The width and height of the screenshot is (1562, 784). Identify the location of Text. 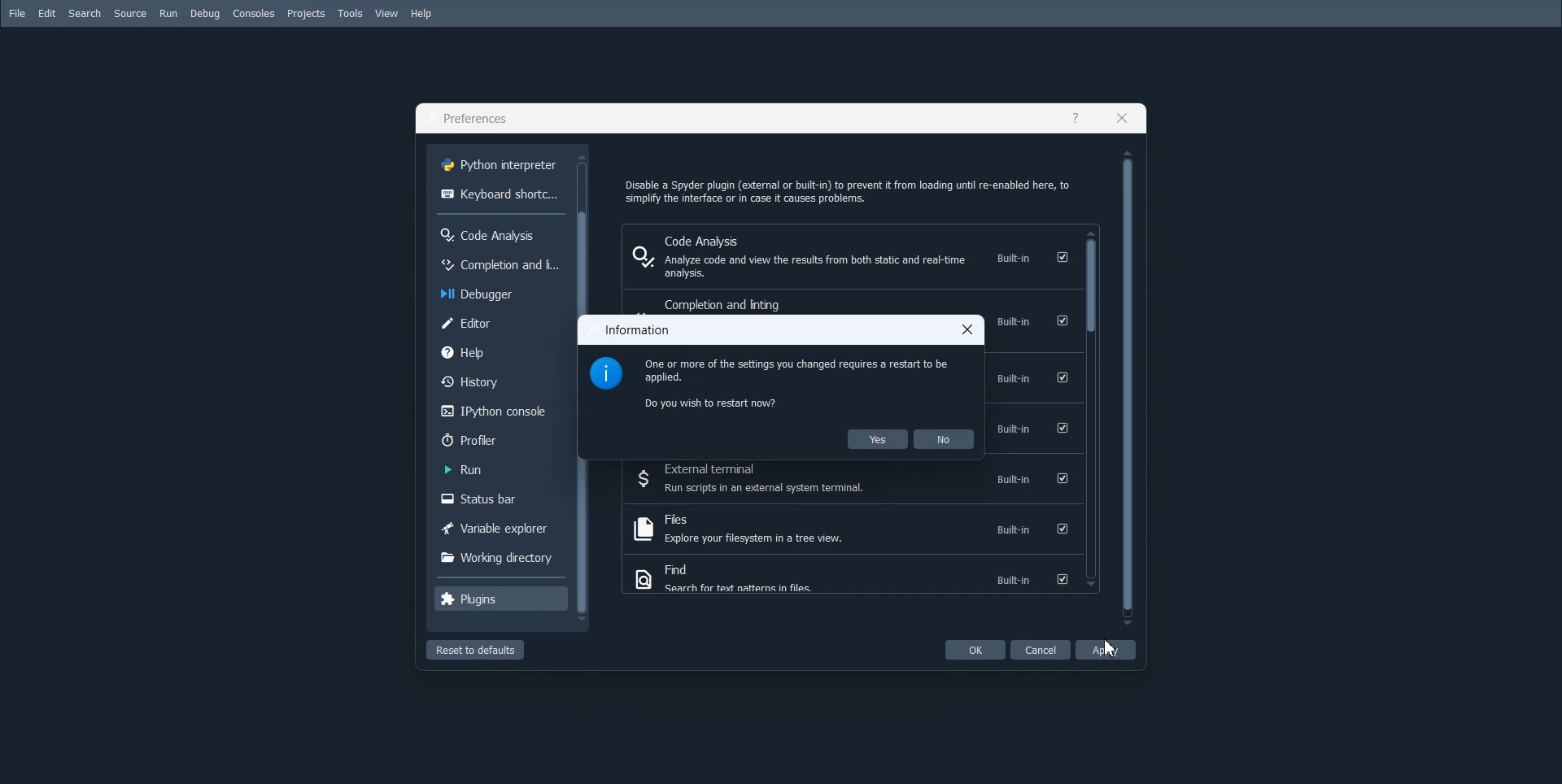
(477, 120).